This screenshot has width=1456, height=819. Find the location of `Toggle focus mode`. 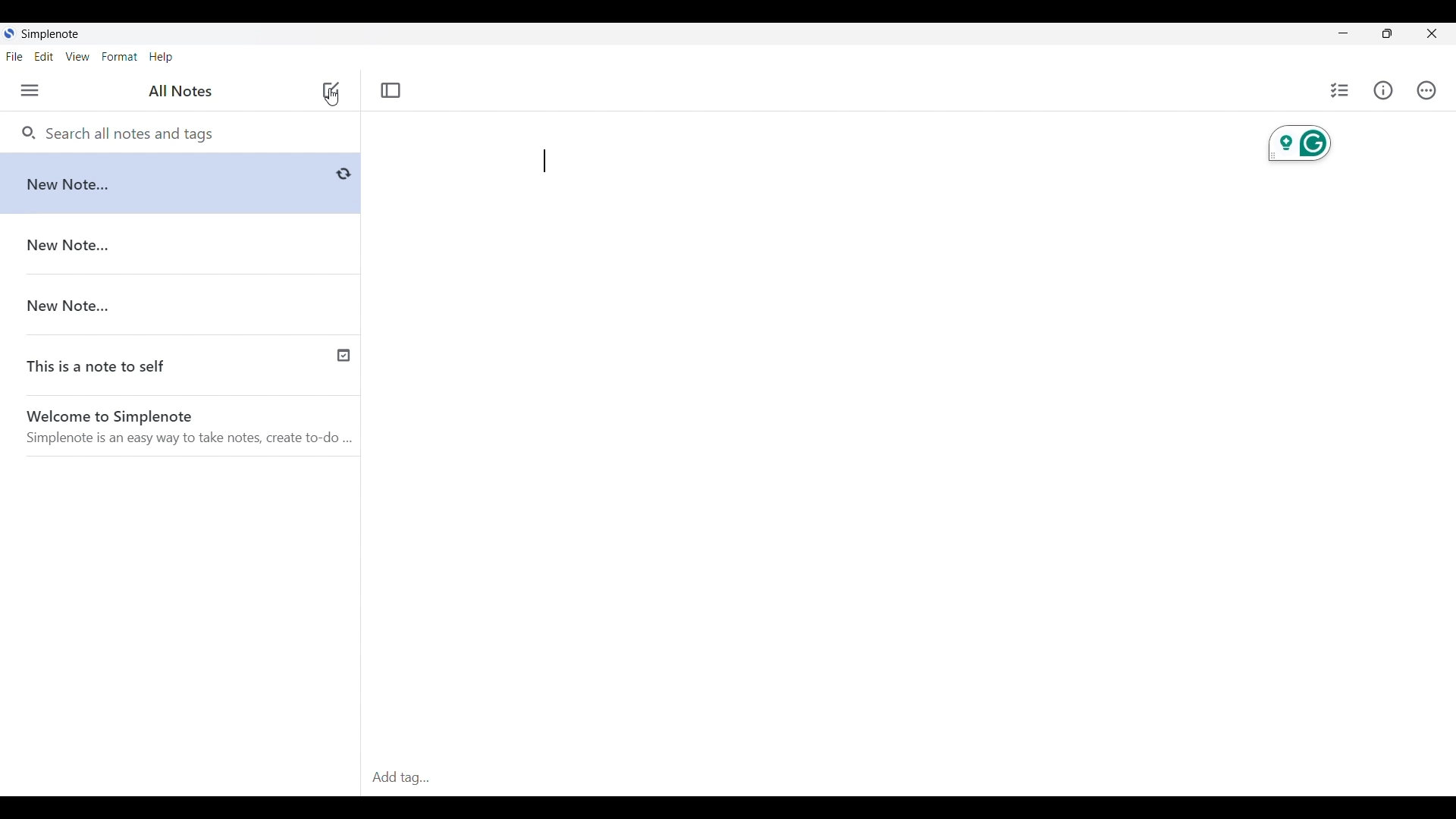

Toggle focus mode is located at coordinates (391, 90).